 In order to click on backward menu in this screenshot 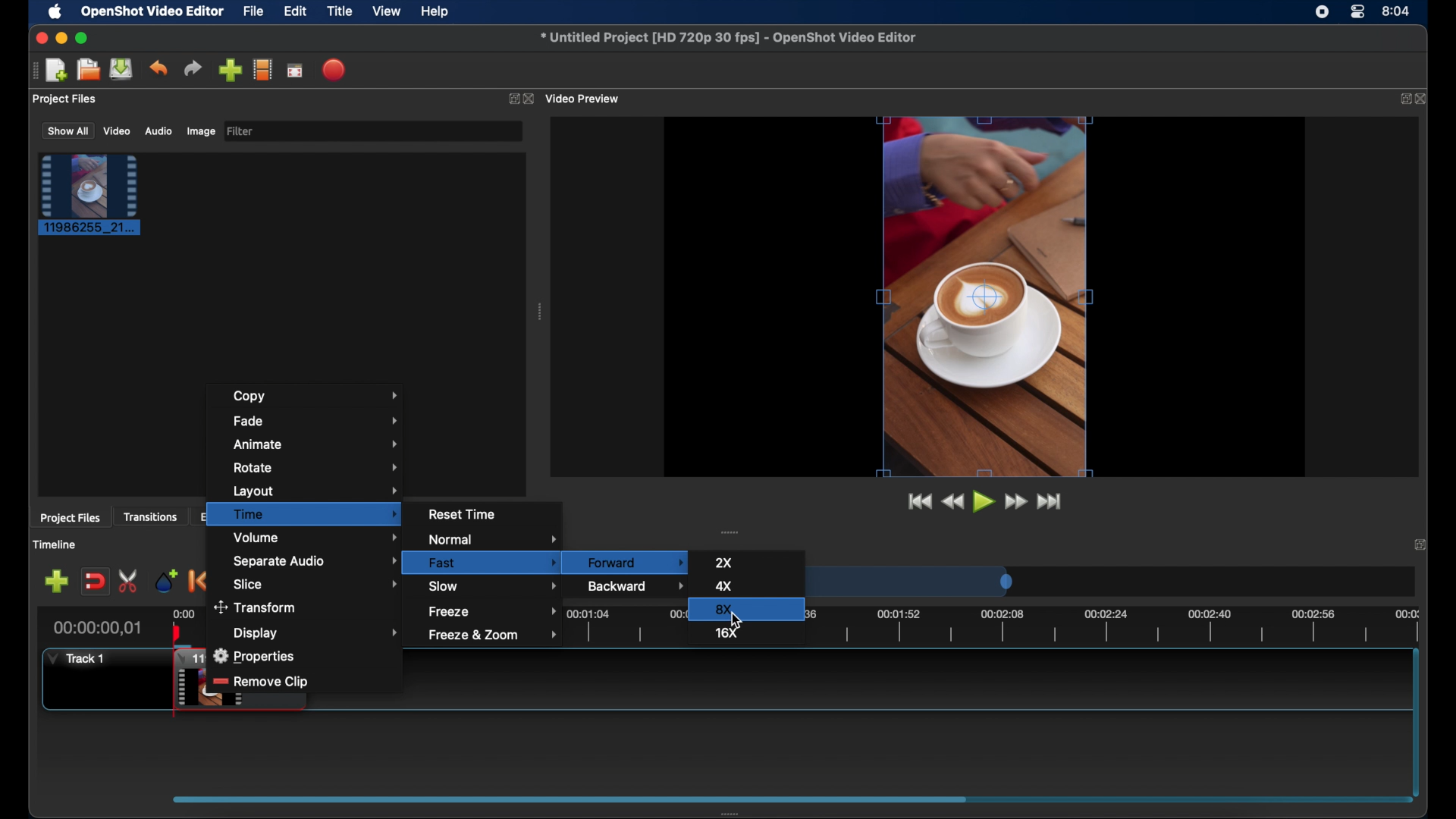, I will do `click(639, 585)`.